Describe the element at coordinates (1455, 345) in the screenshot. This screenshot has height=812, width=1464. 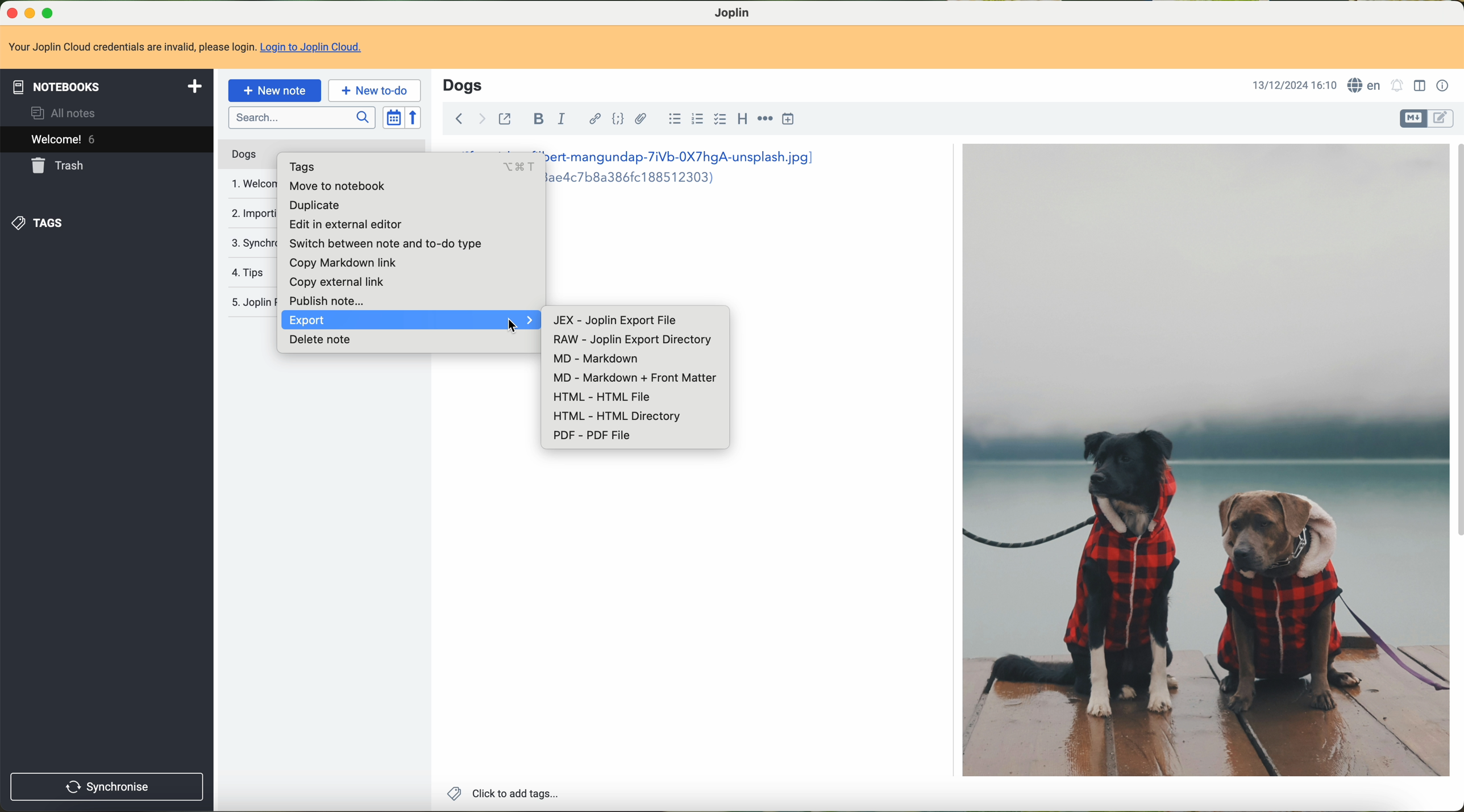
I see `scroll bar` at that location.